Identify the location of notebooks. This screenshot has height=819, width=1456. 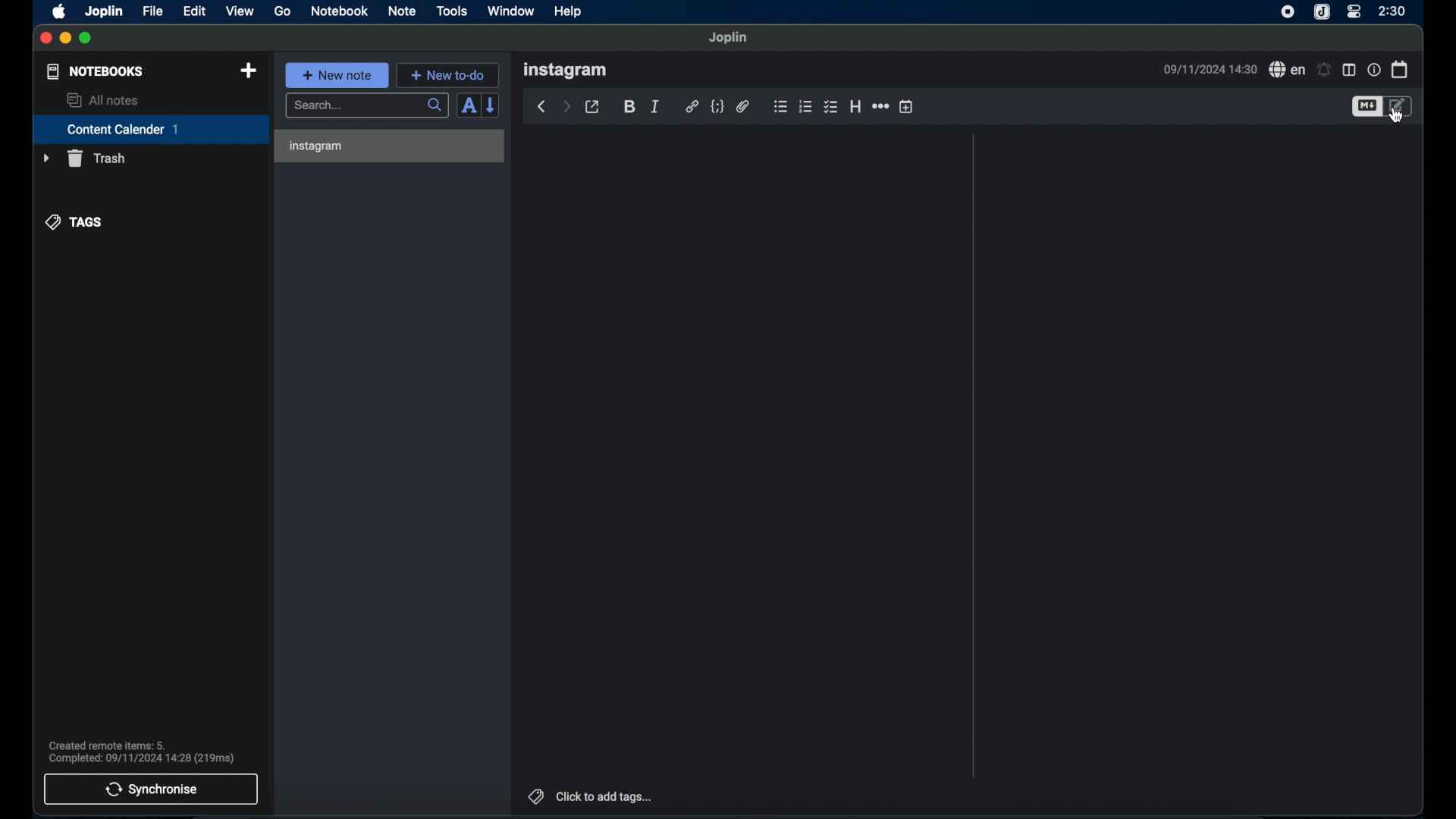
(96, 71).